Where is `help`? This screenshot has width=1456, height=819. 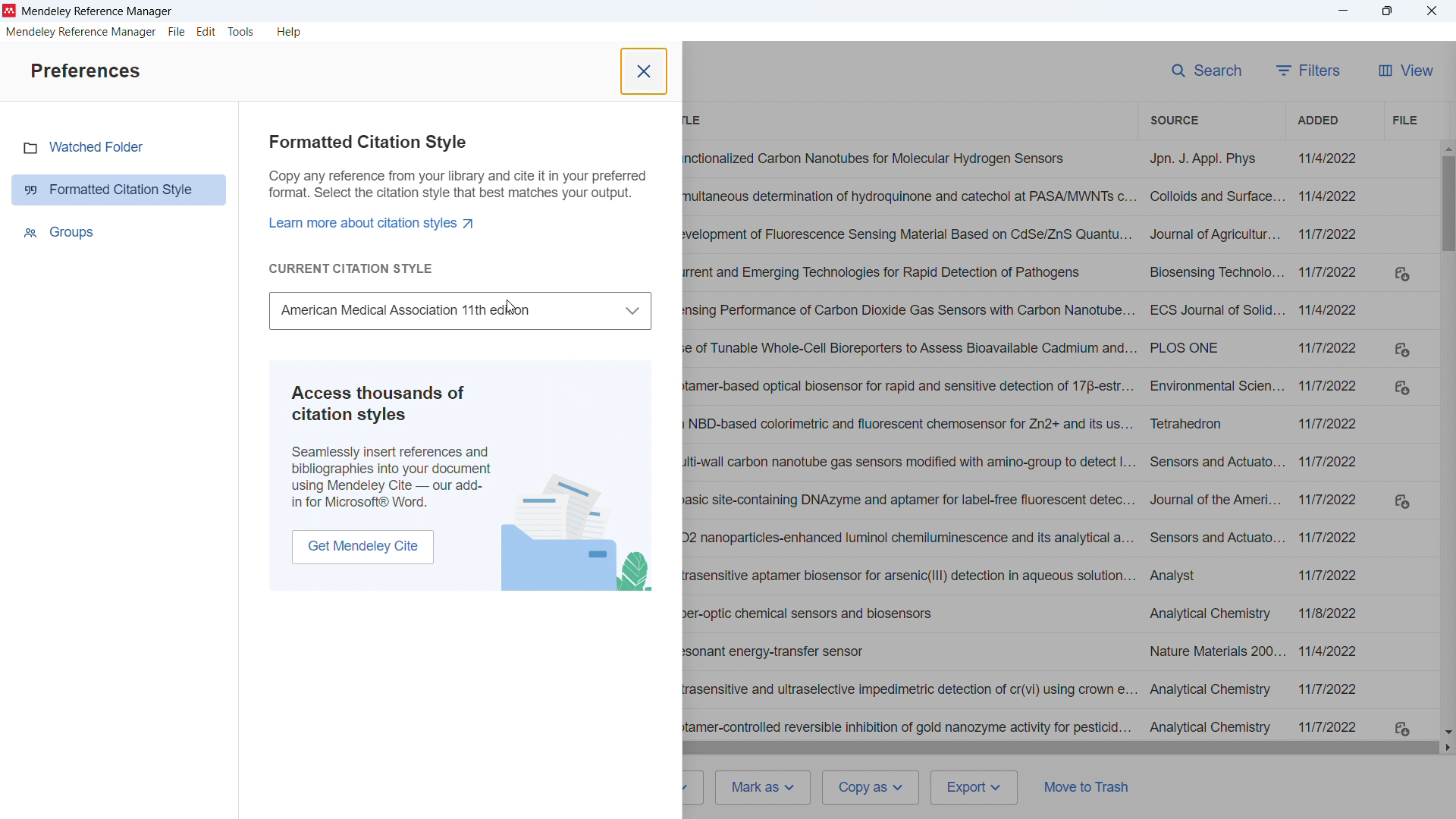
help is located at coordinates (290, 33).